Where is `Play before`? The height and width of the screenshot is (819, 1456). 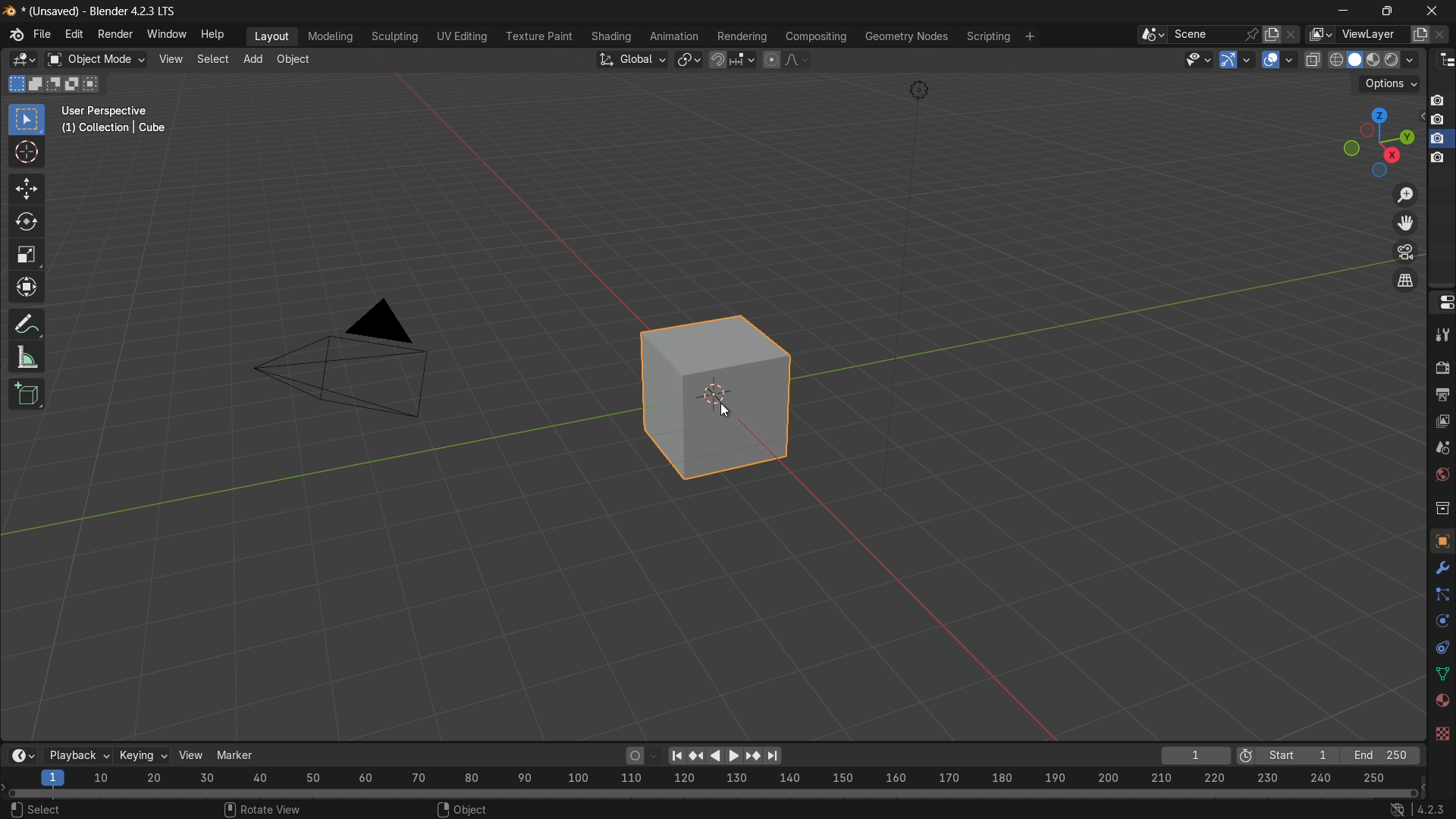 Play before is located at coordinates (697, 756).